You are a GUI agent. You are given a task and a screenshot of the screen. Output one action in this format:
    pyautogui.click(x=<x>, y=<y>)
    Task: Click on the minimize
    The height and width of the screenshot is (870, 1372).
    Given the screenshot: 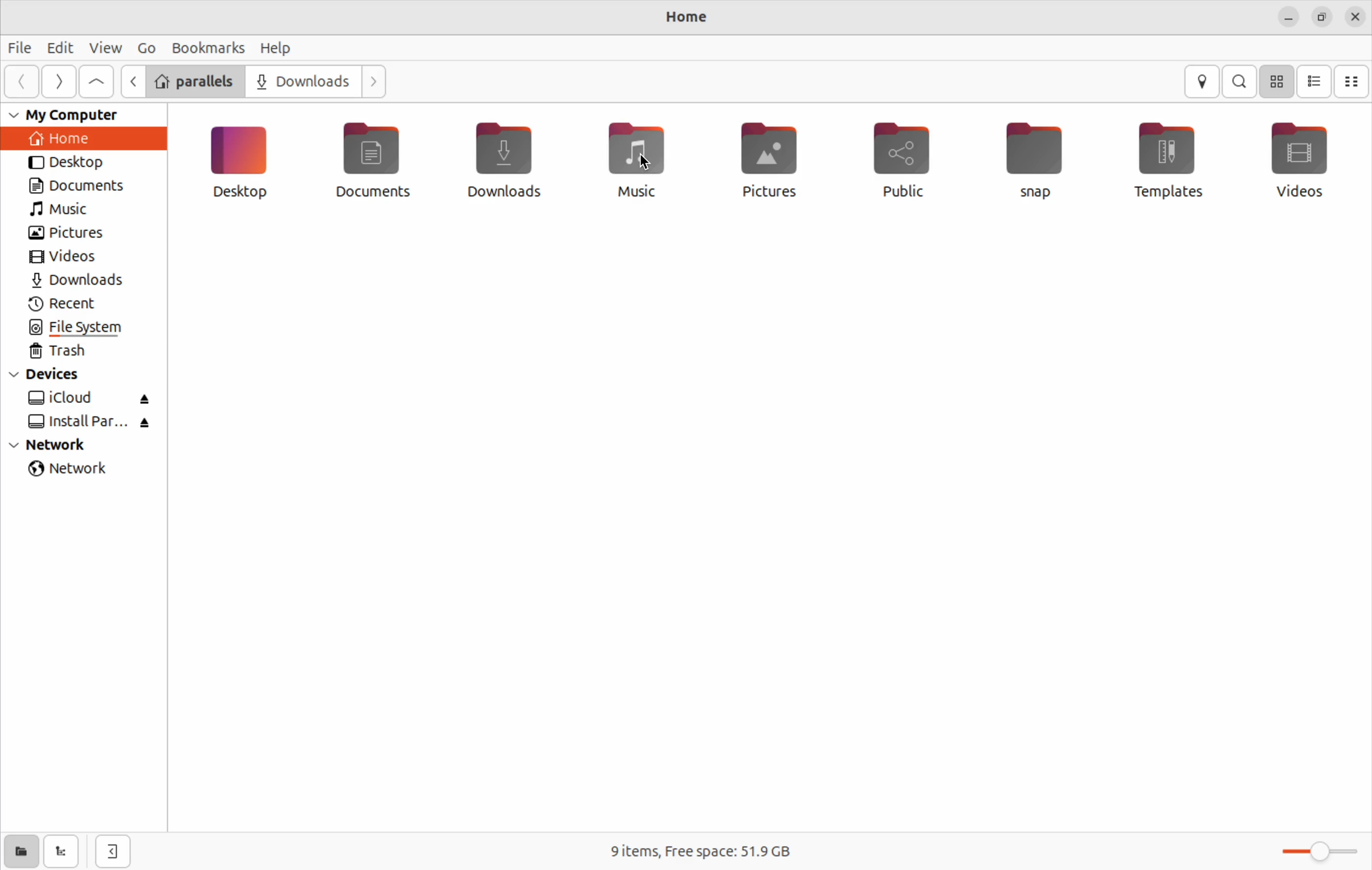 What is the action you would take?
    pyautogui.click(x=1288, y=18)
    